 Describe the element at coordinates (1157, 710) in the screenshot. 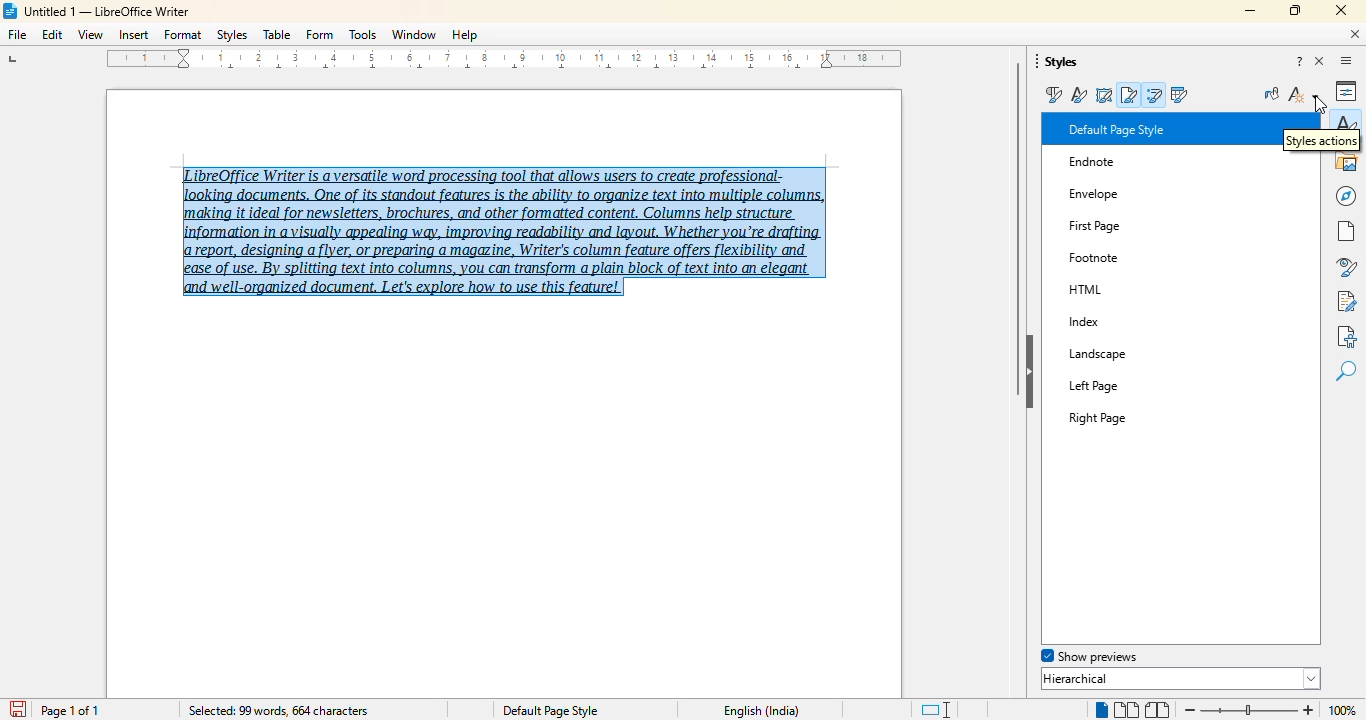

I see `book view` at that location.